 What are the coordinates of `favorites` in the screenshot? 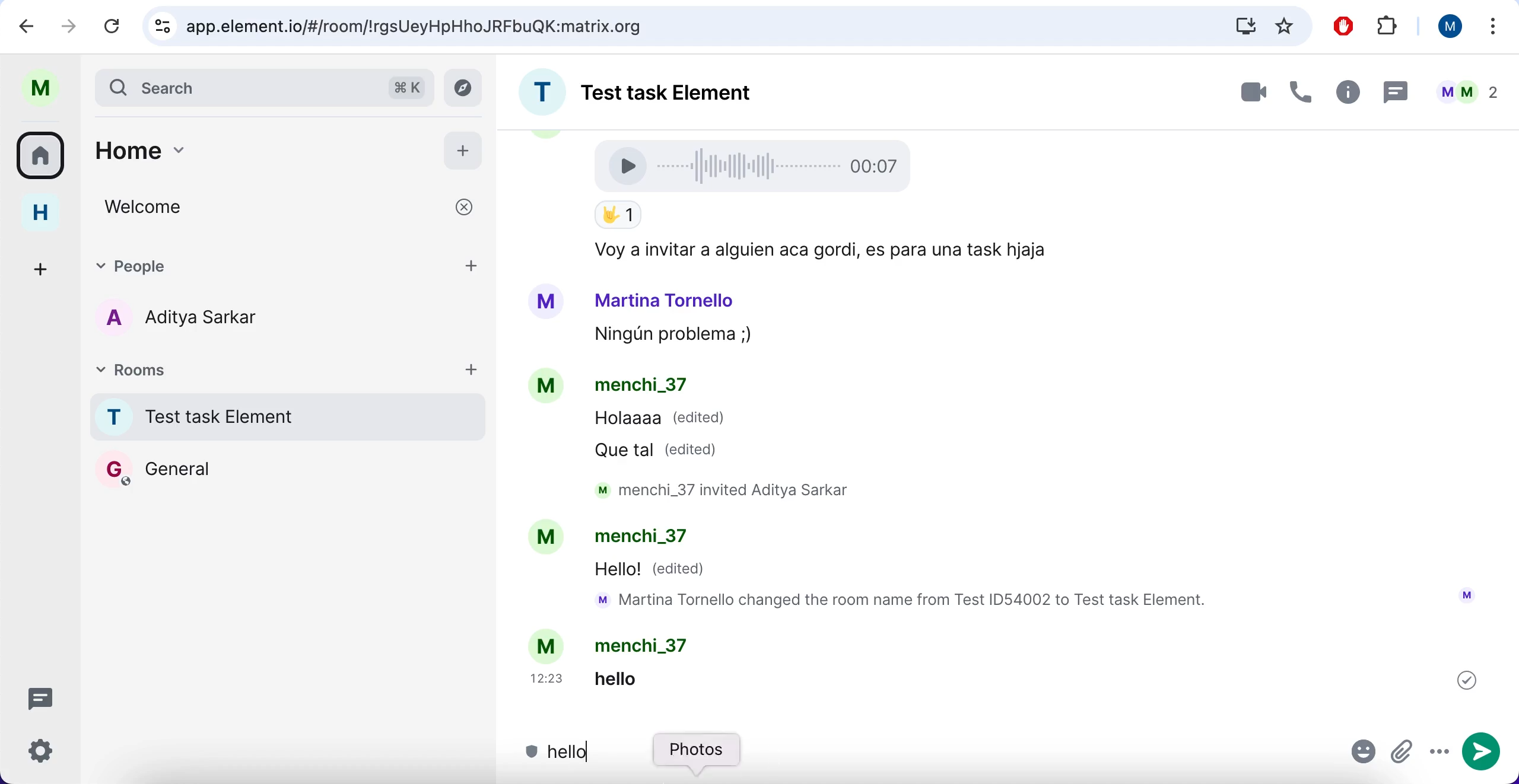 It's located at (1285, 26).